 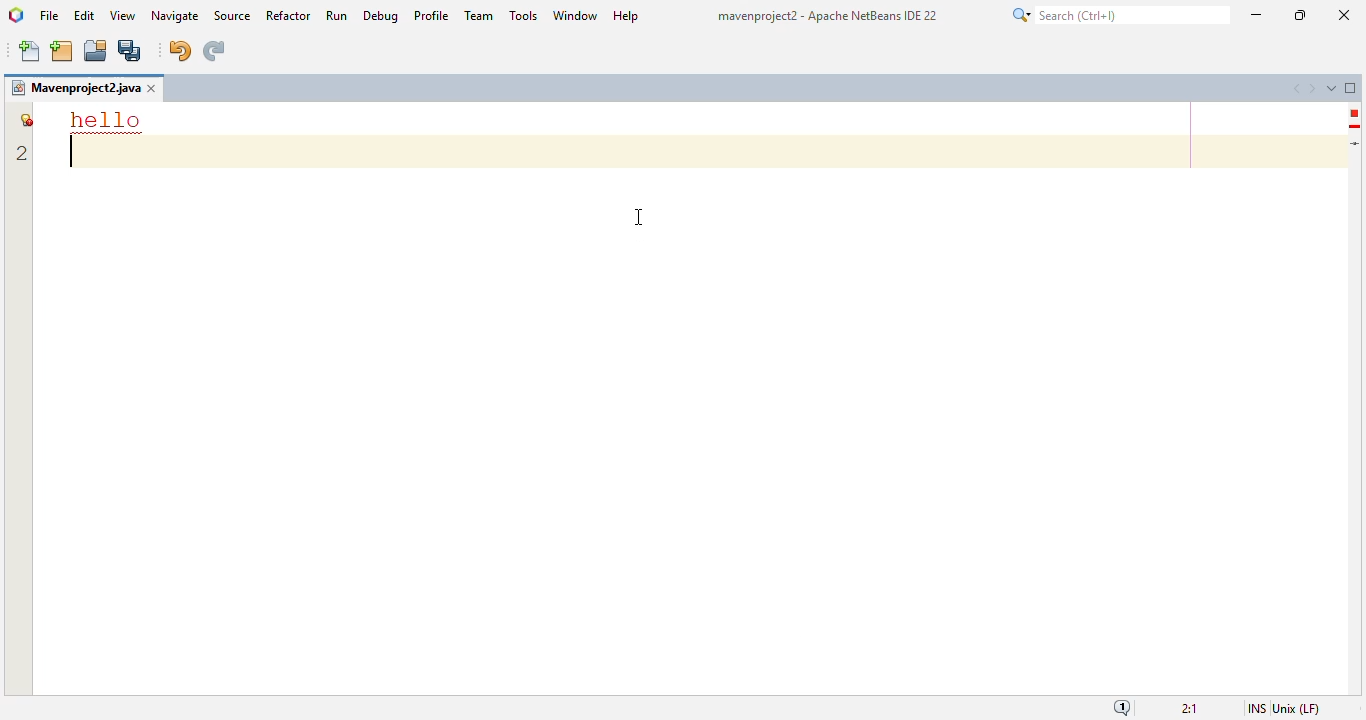 What do you see at coordinates (1356, 143) in the screenshot?
I see `current line` at bounding box center [1356, 143].